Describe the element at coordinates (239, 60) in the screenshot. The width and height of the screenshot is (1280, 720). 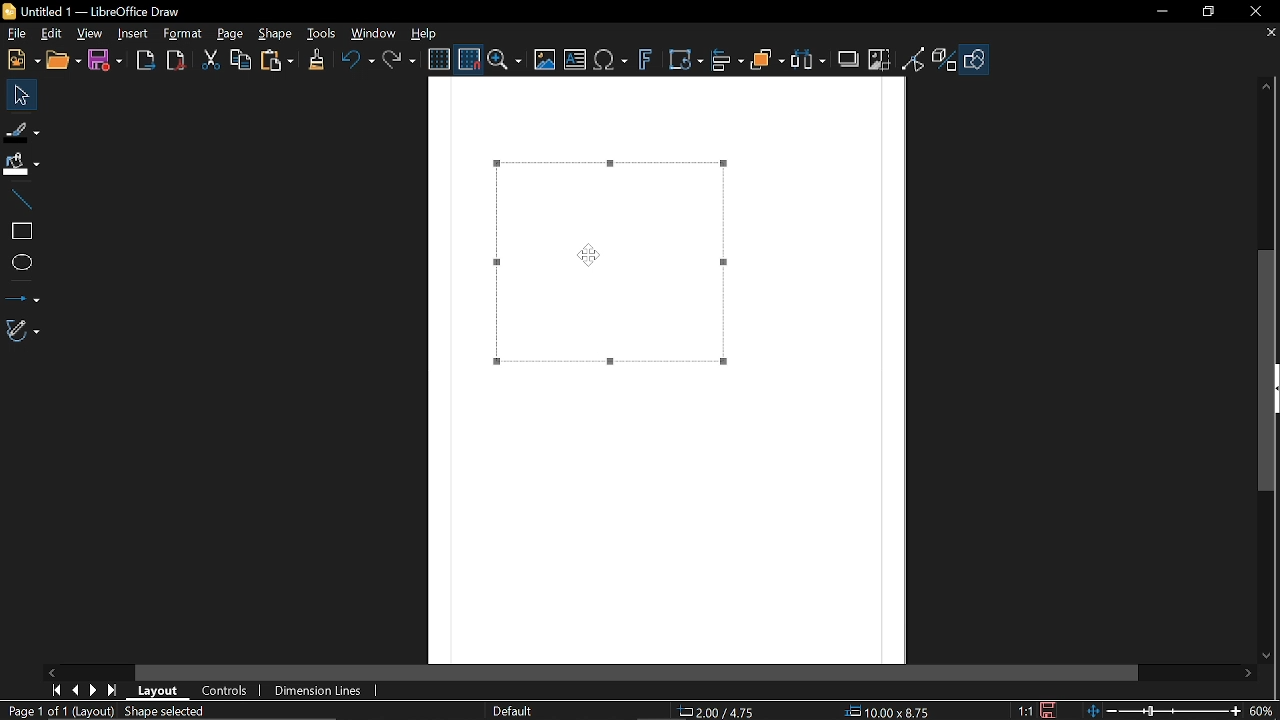
I see `Copy` at that location.